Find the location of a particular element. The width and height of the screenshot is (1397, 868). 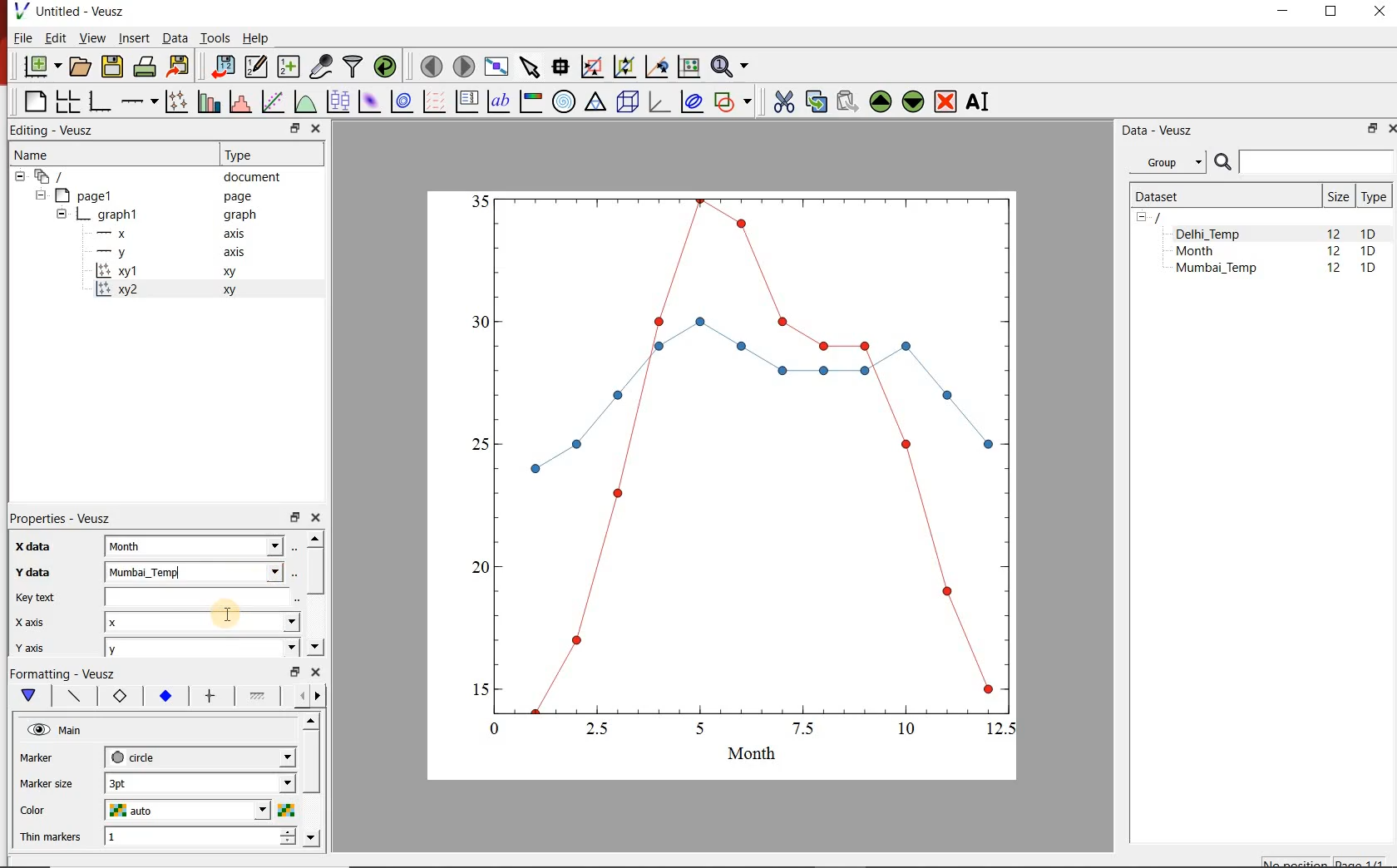

reload linked datasets is located at coordinates (385, 65).